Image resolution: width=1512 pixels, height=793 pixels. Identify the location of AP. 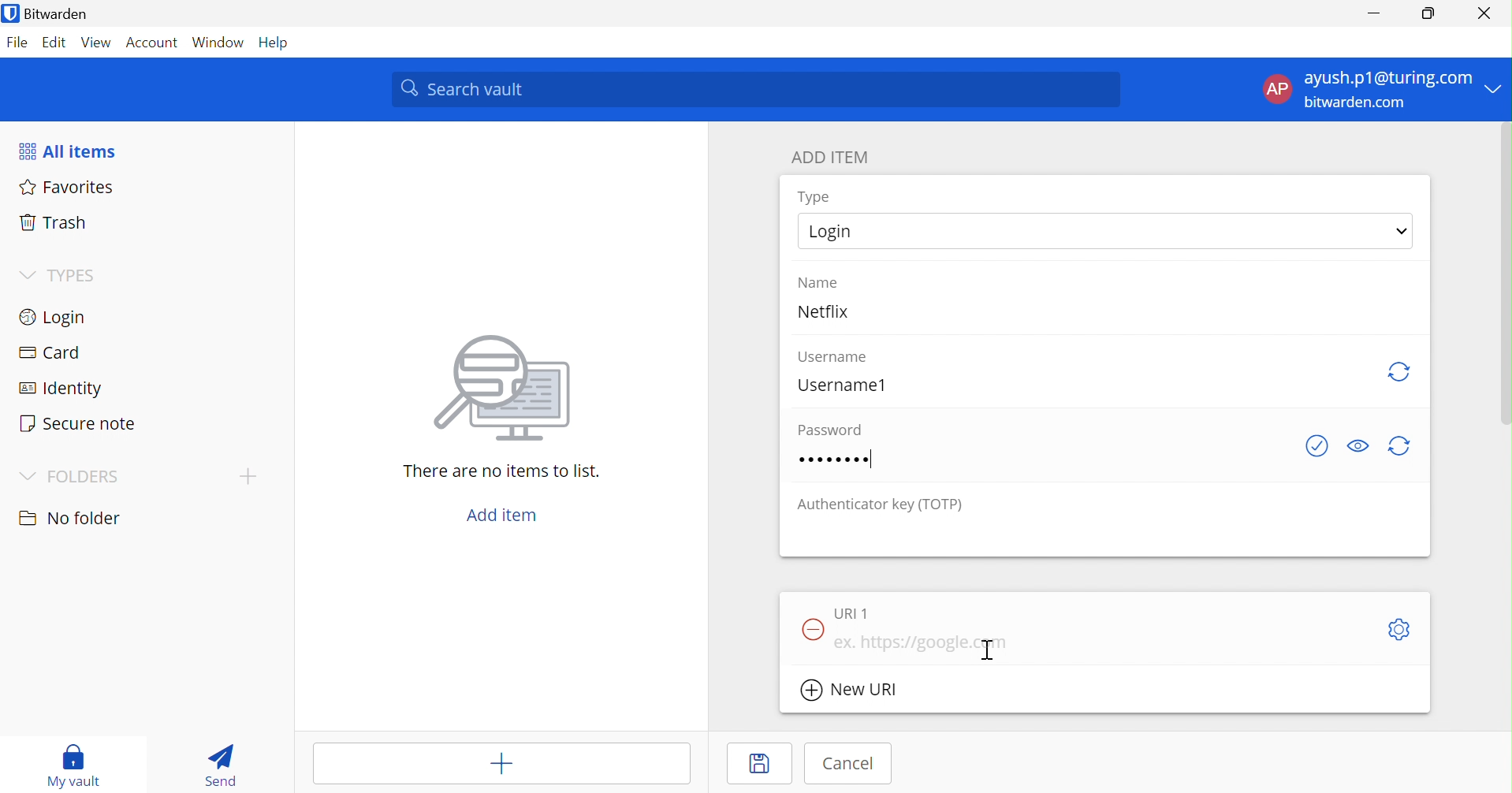
(1277, 89).